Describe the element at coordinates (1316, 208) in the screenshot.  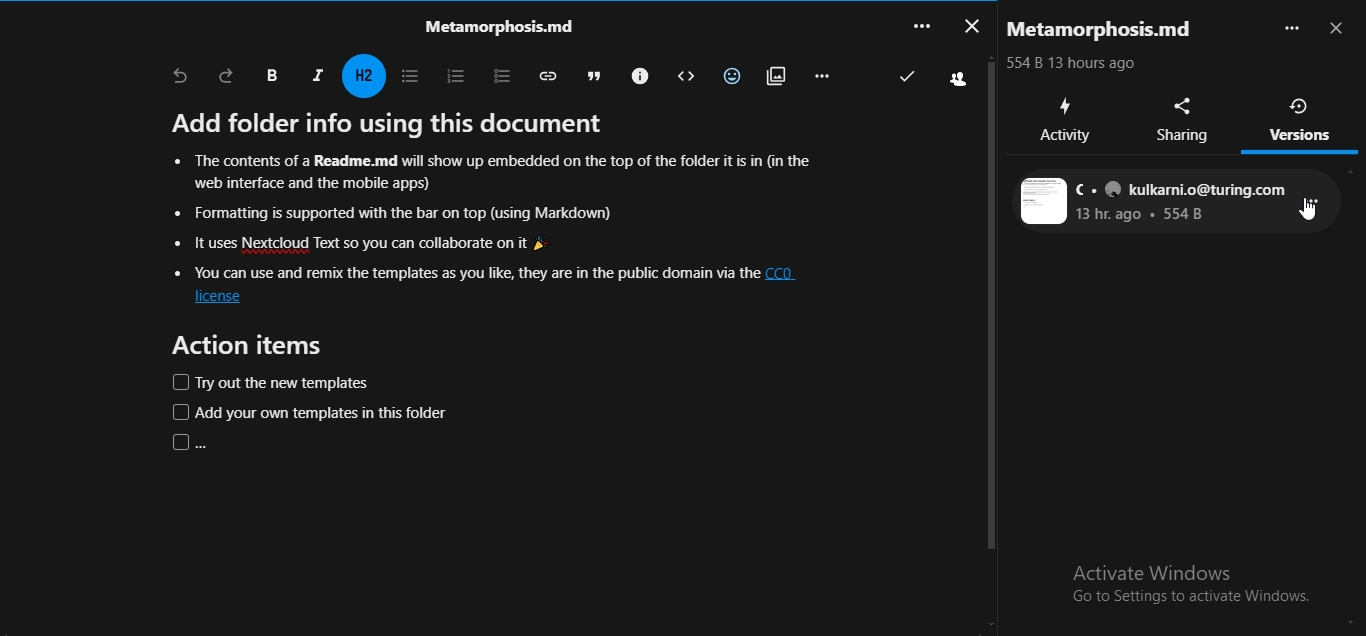
I see `more options` at that location.